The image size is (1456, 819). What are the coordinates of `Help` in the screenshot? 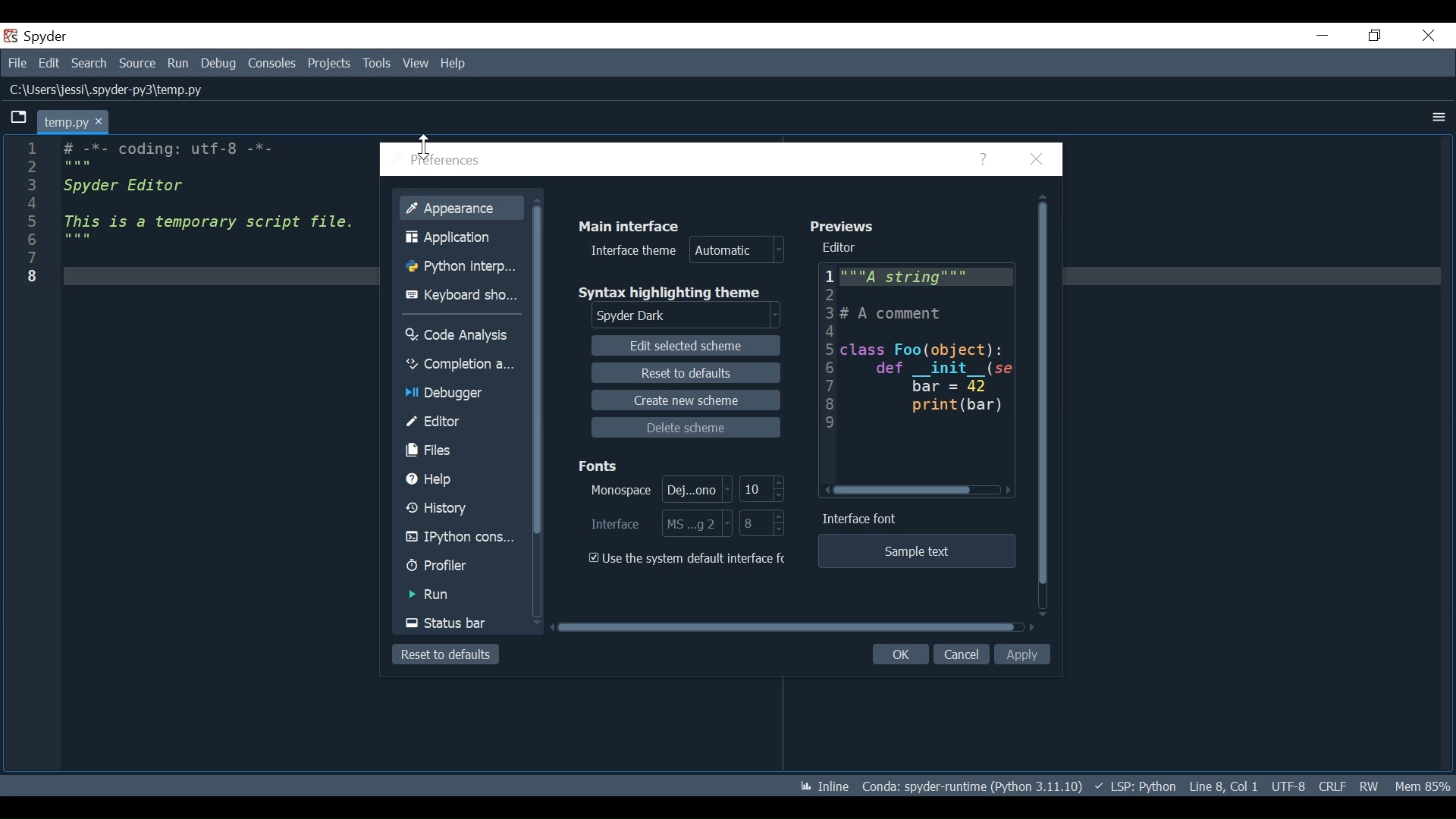 It's located at (459, 479).